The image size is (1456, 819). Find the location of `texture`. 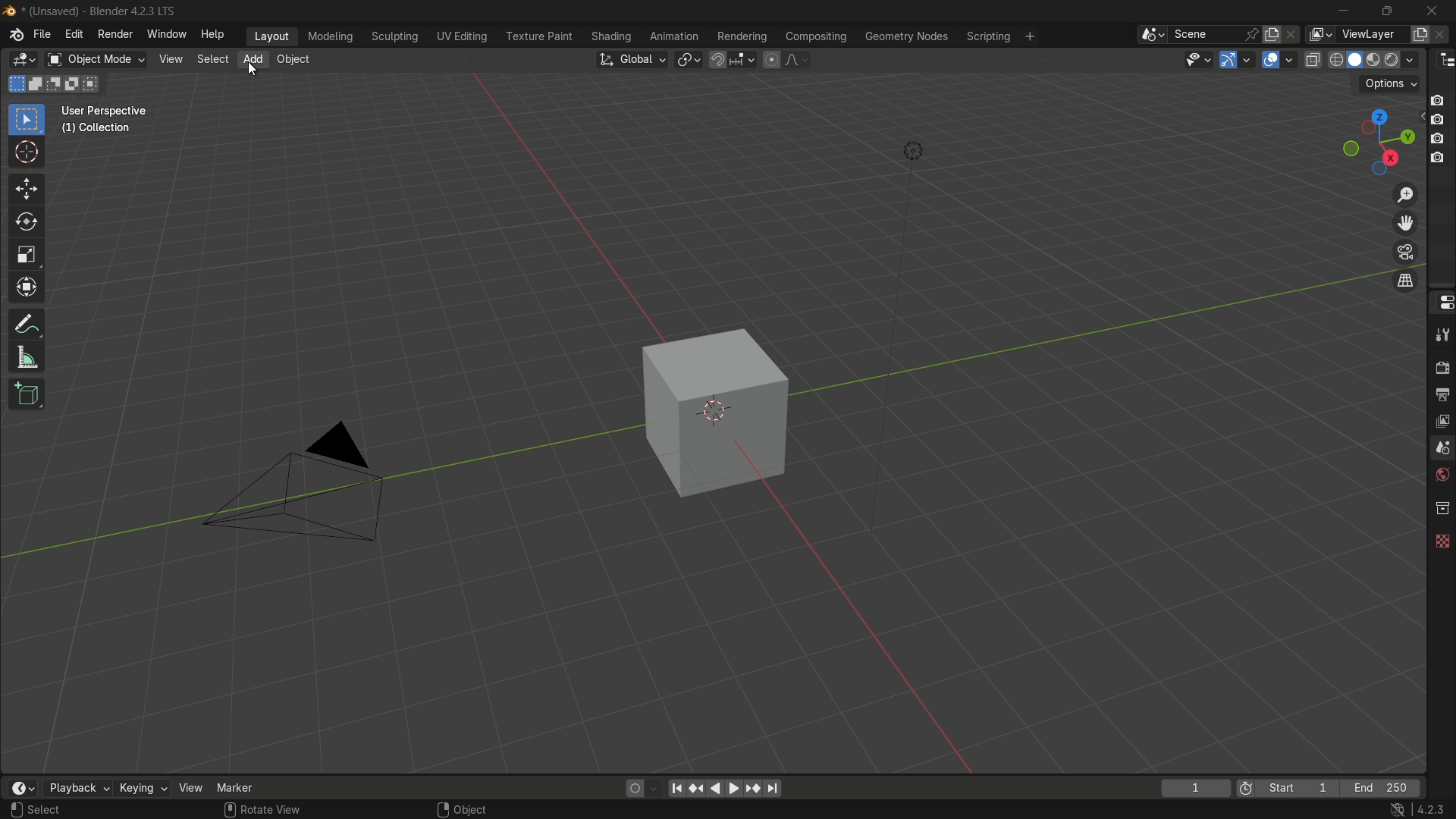

texture is located at coordinates (1441, 541).